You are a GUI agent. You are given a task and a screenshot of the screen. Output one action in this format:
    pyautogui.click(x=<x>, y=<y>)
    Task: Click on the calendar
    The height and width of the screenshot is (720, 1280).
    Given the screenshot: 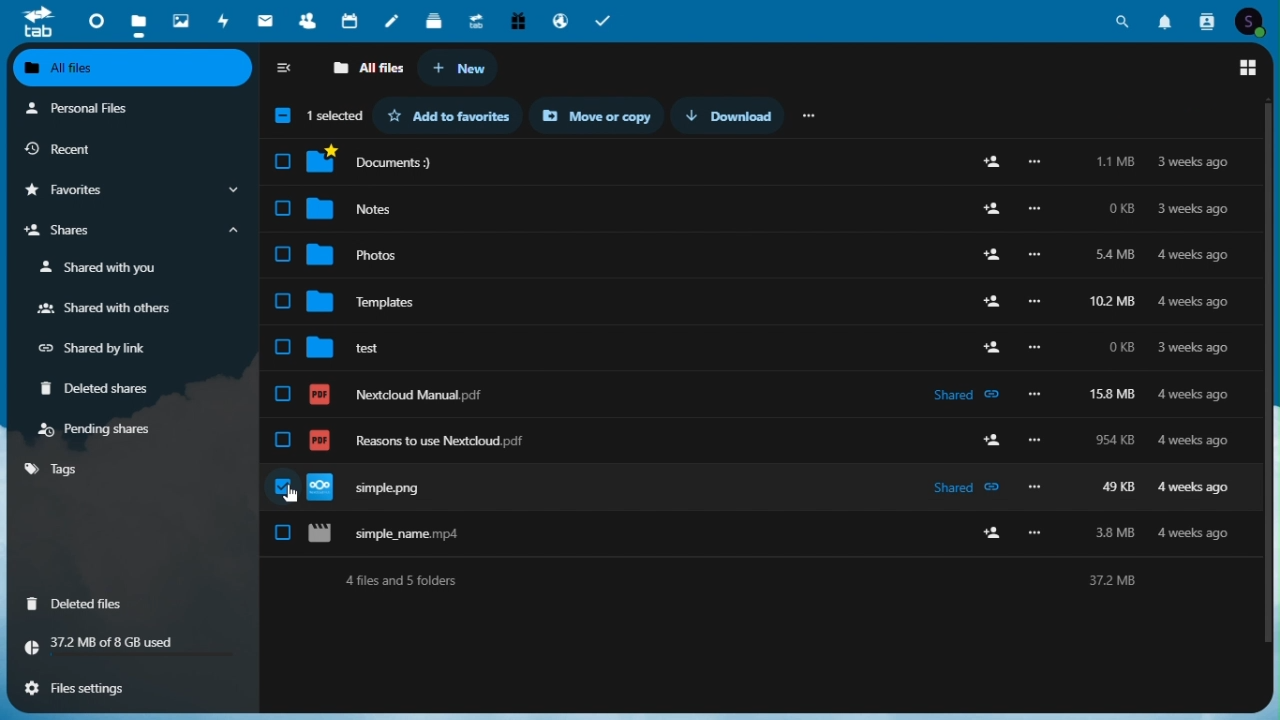 What is the action you would take?
    pyautogui.click(x=352, y=19)
    